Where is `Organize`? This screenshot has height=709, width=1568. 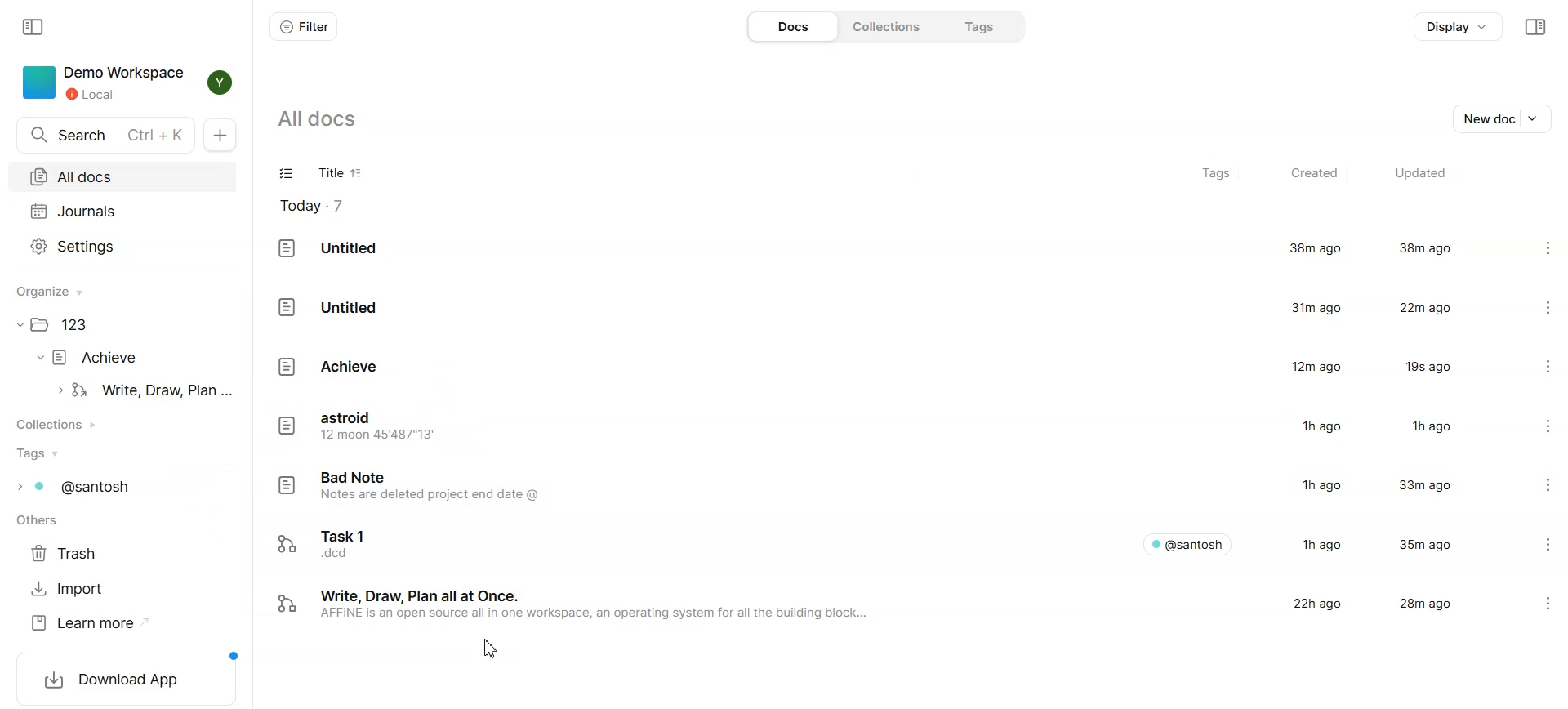
Organize is located at coordinates (57, 292).